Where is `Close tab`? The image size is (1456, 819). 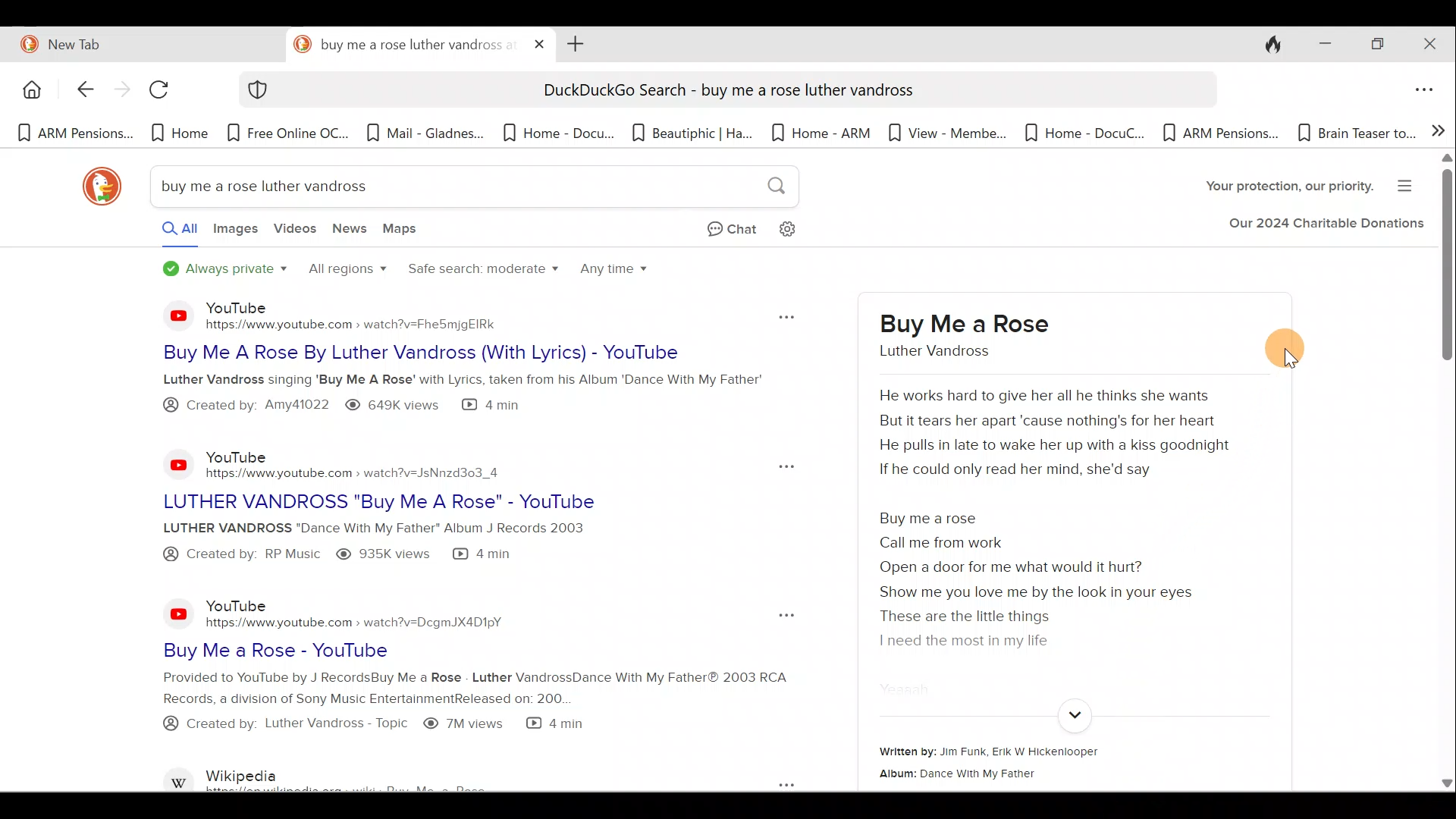 Close tab is located at coordinates (540, 41).